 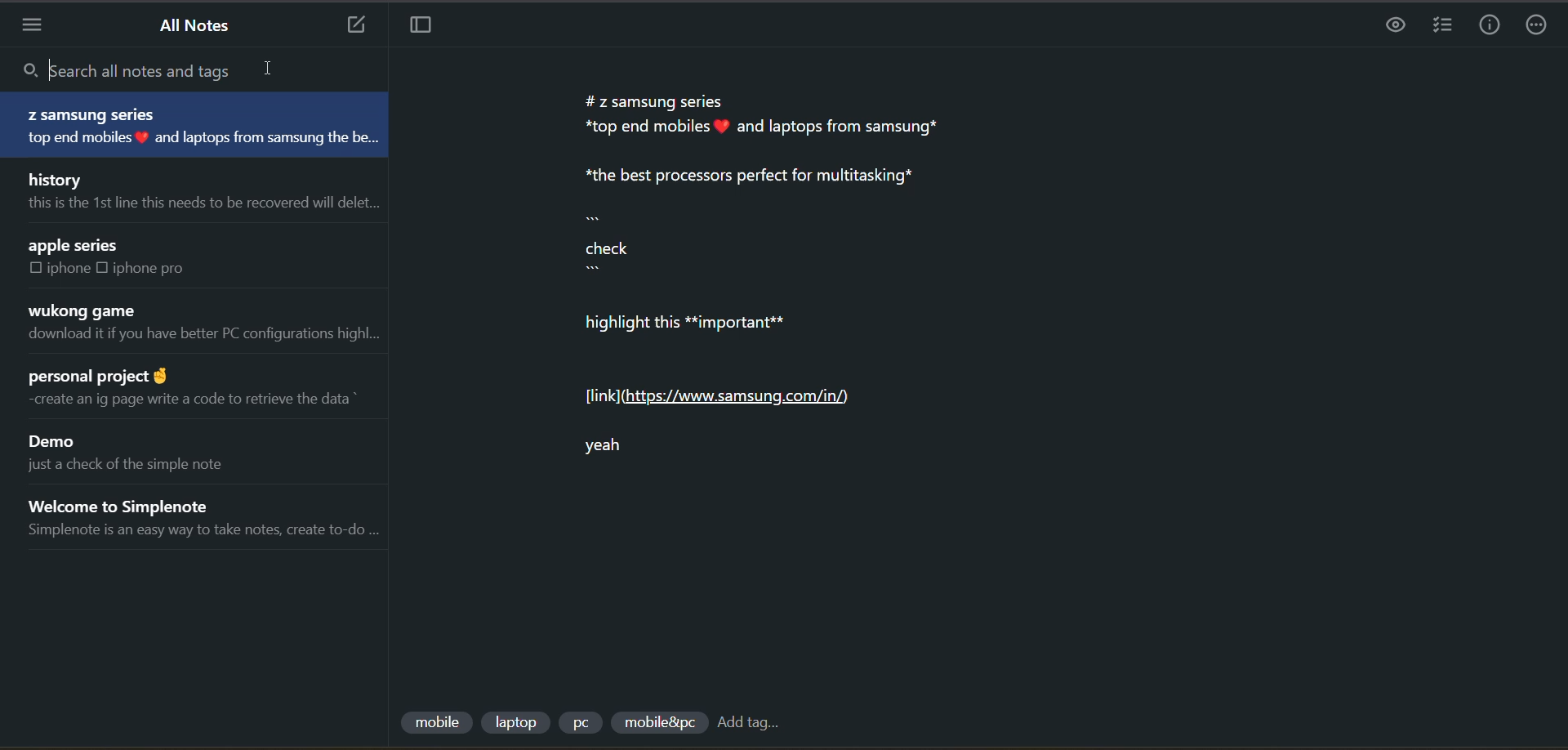 I want to click on search all notes and tags, so click(x=181, y=73).